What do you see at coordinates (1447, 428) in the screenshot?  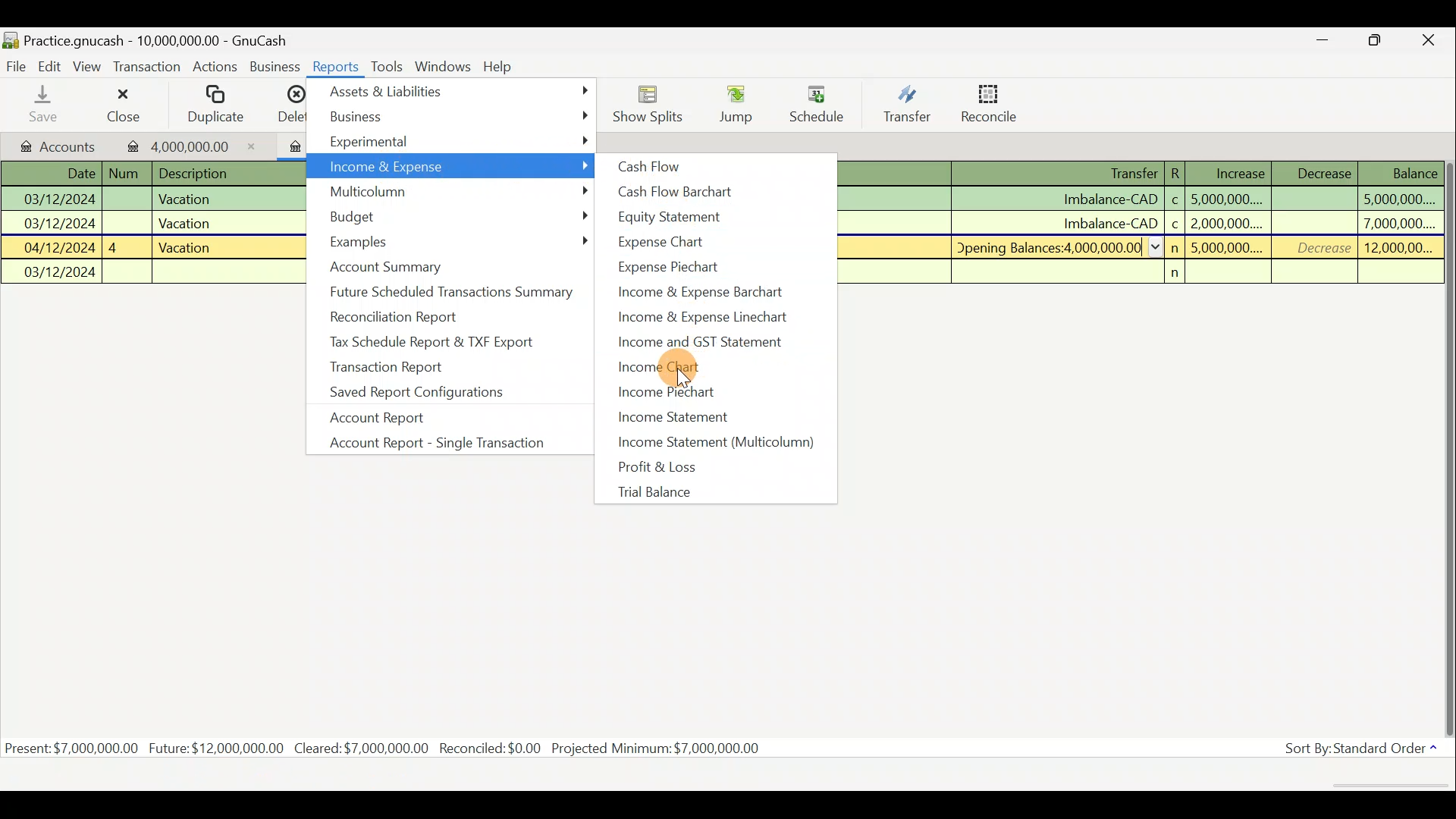 I see `Scroll bar` at bounding box center [1447, 428].